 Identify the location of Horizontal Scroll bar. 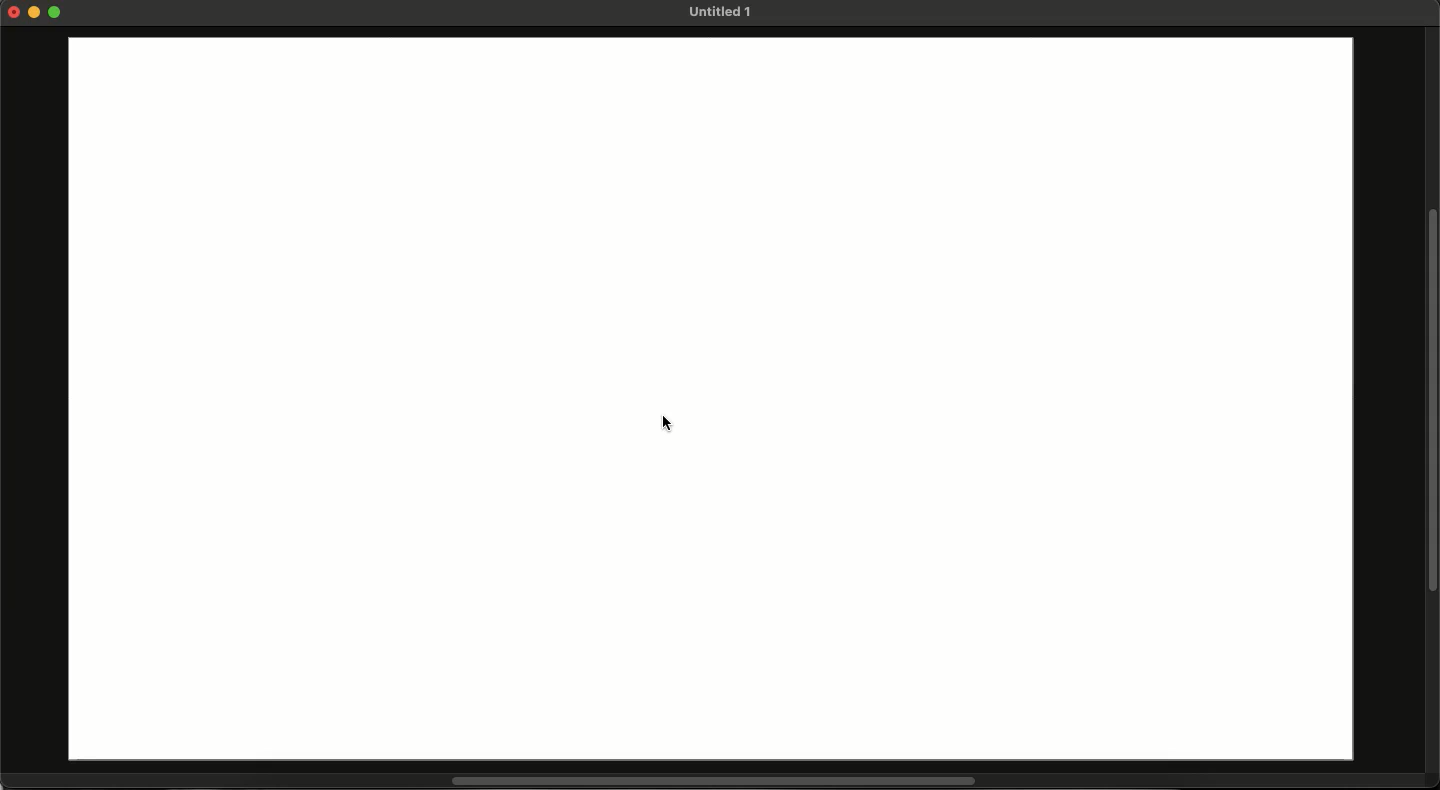
(702, 782).